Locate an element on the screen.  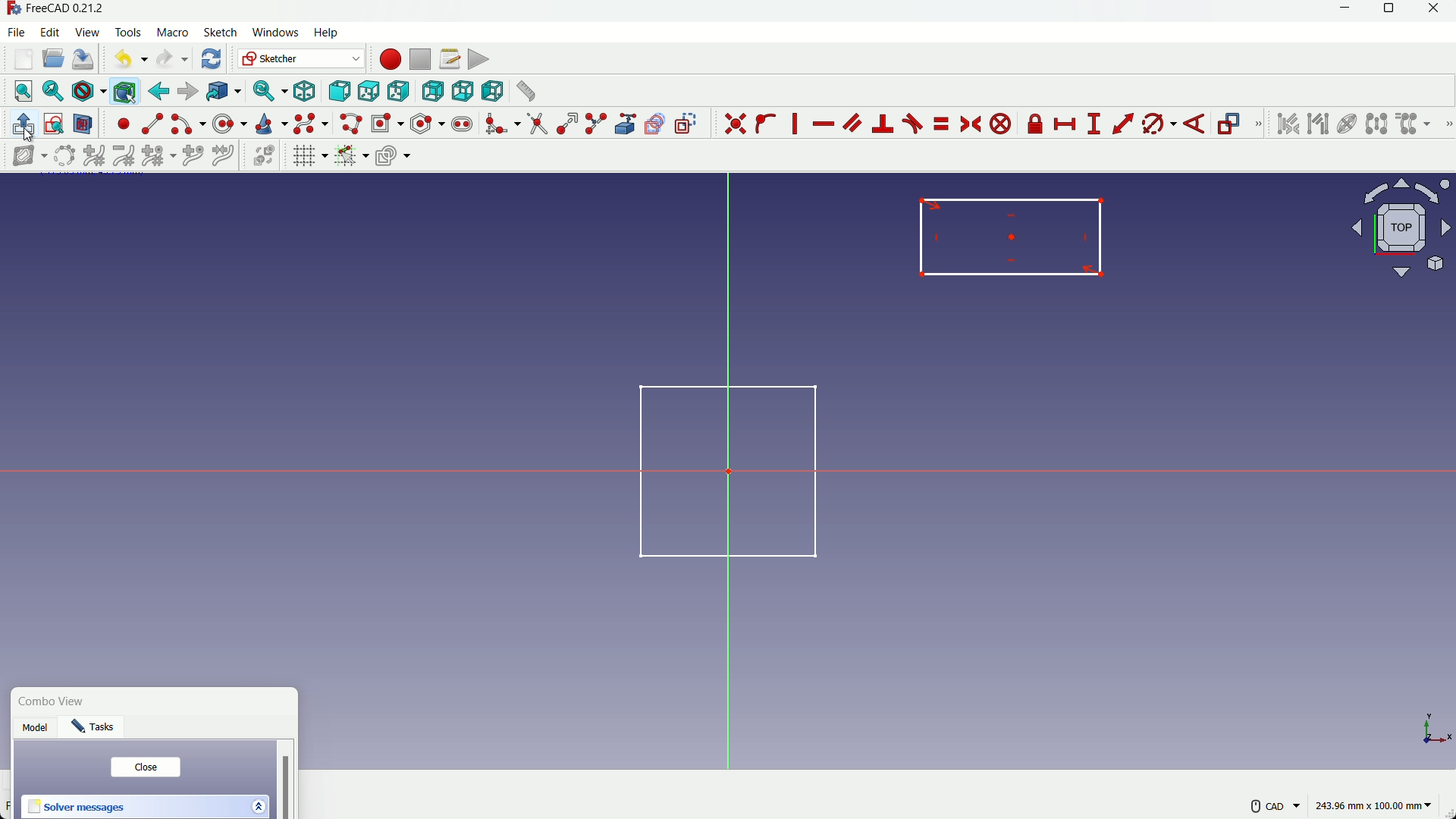
constraint perpendicular is located at coordinates (883, 124).